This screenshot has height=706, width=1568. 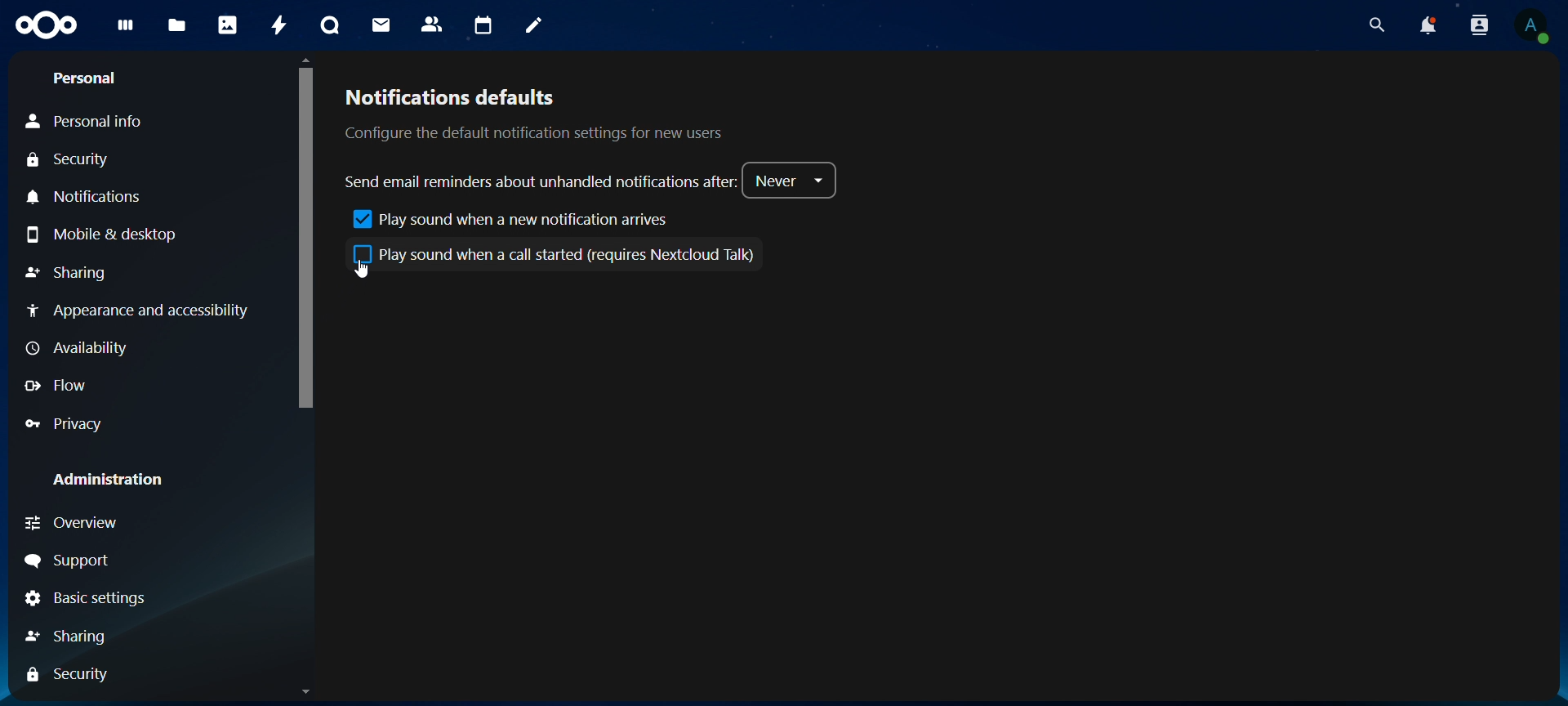 What do you see at coordinates (1537, 26) in the screenshot?
I see `View Profile` at bounding box center [1537, 26].